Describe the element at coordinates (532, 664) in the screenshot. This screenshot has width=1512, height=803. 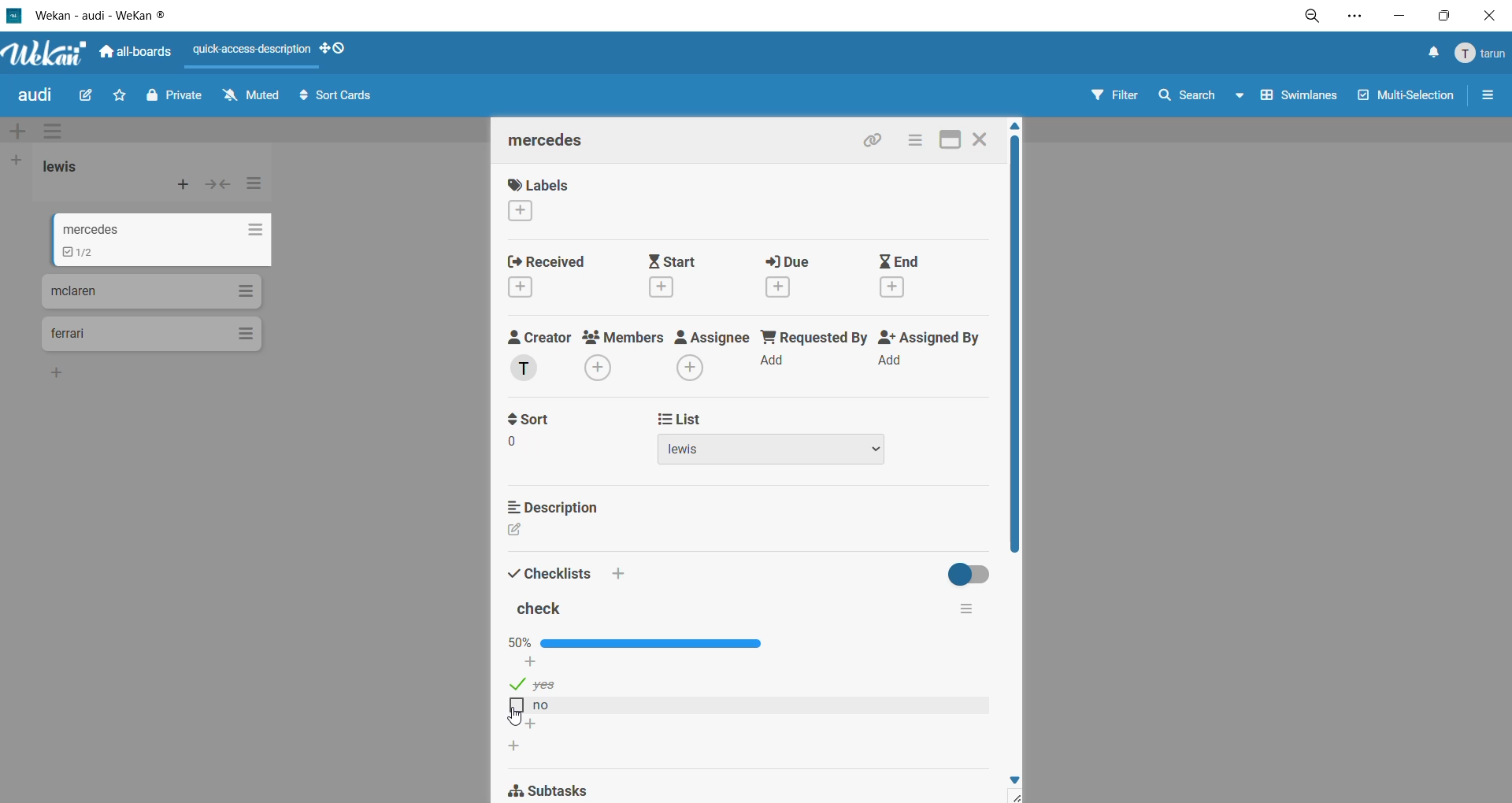
I see `add` at that location.